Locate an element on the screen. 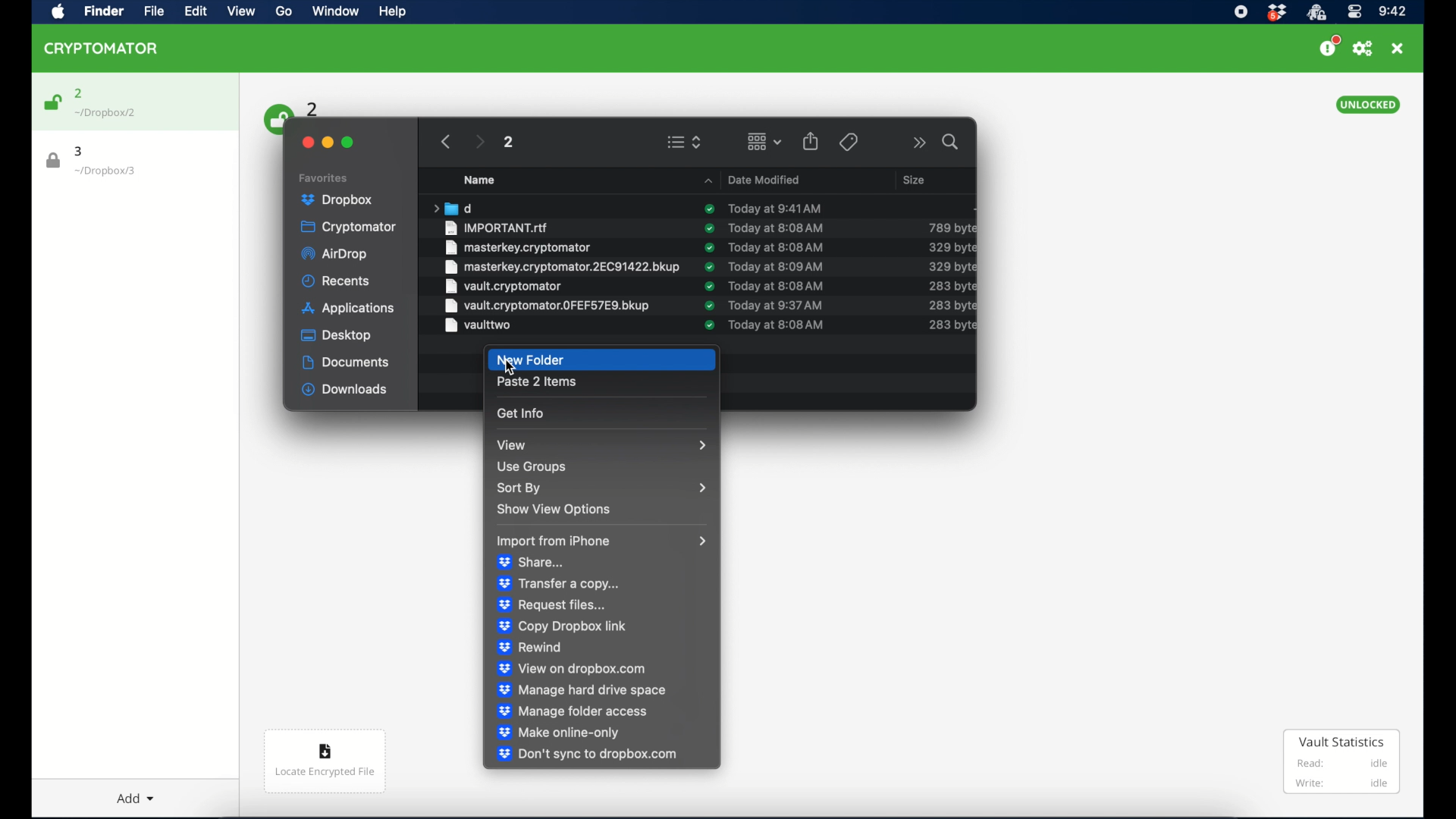  sync is located at coordinates (709, 209).